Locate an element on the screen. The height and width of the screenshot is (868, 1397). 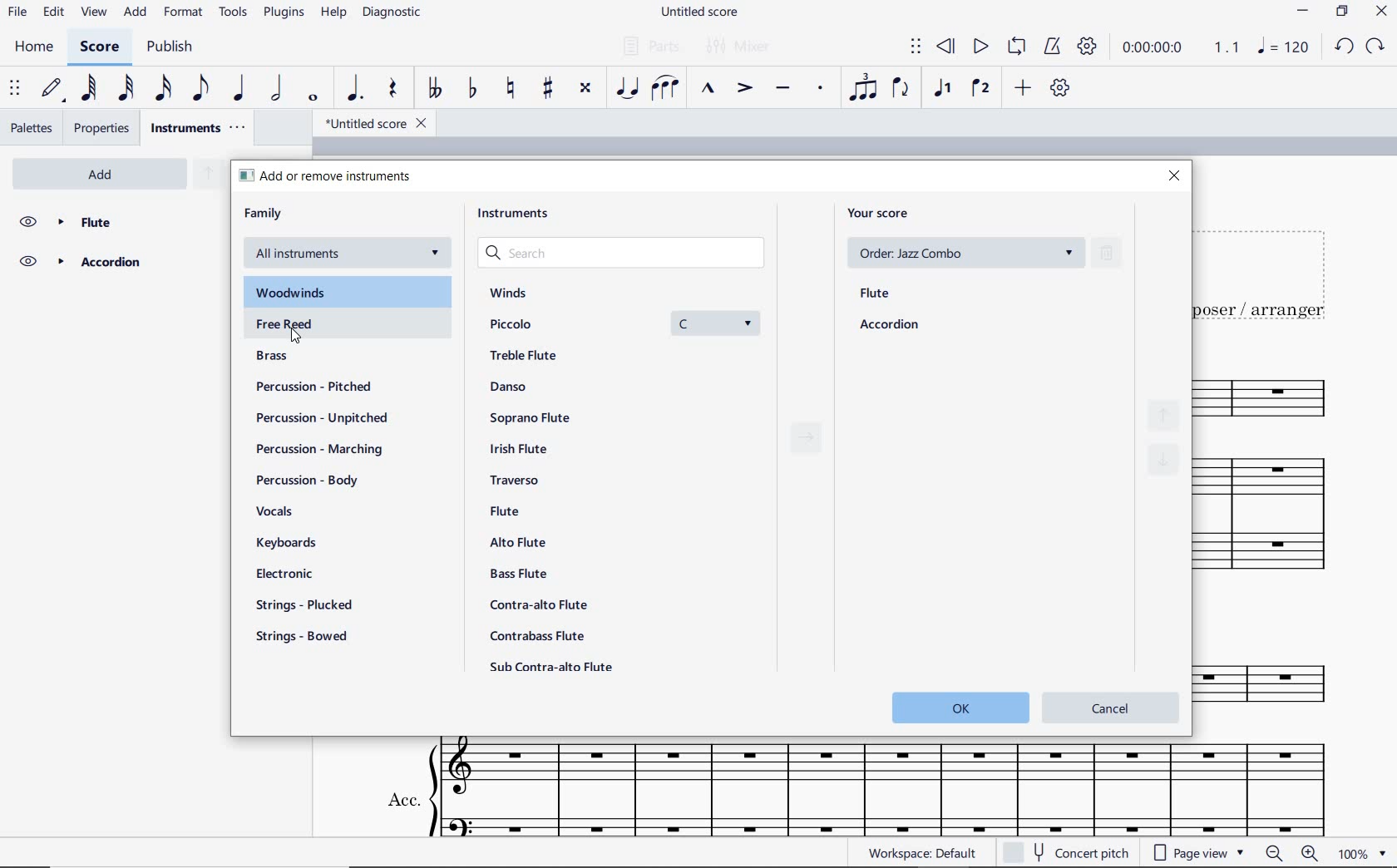
piccolo is located at coordinates (523, 323).